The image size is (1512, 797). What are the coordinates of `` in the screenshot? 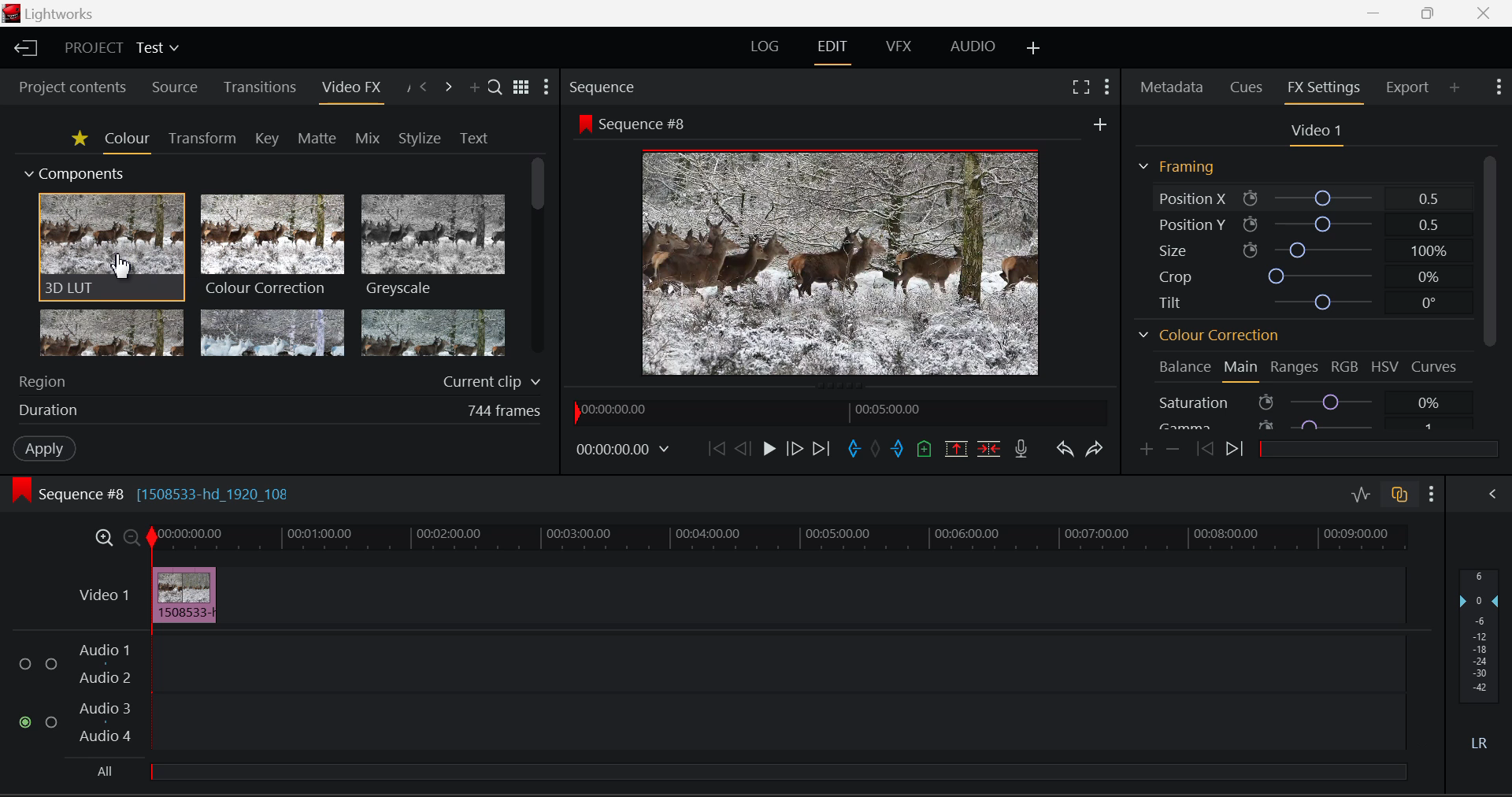 It's located at (1099, 124).